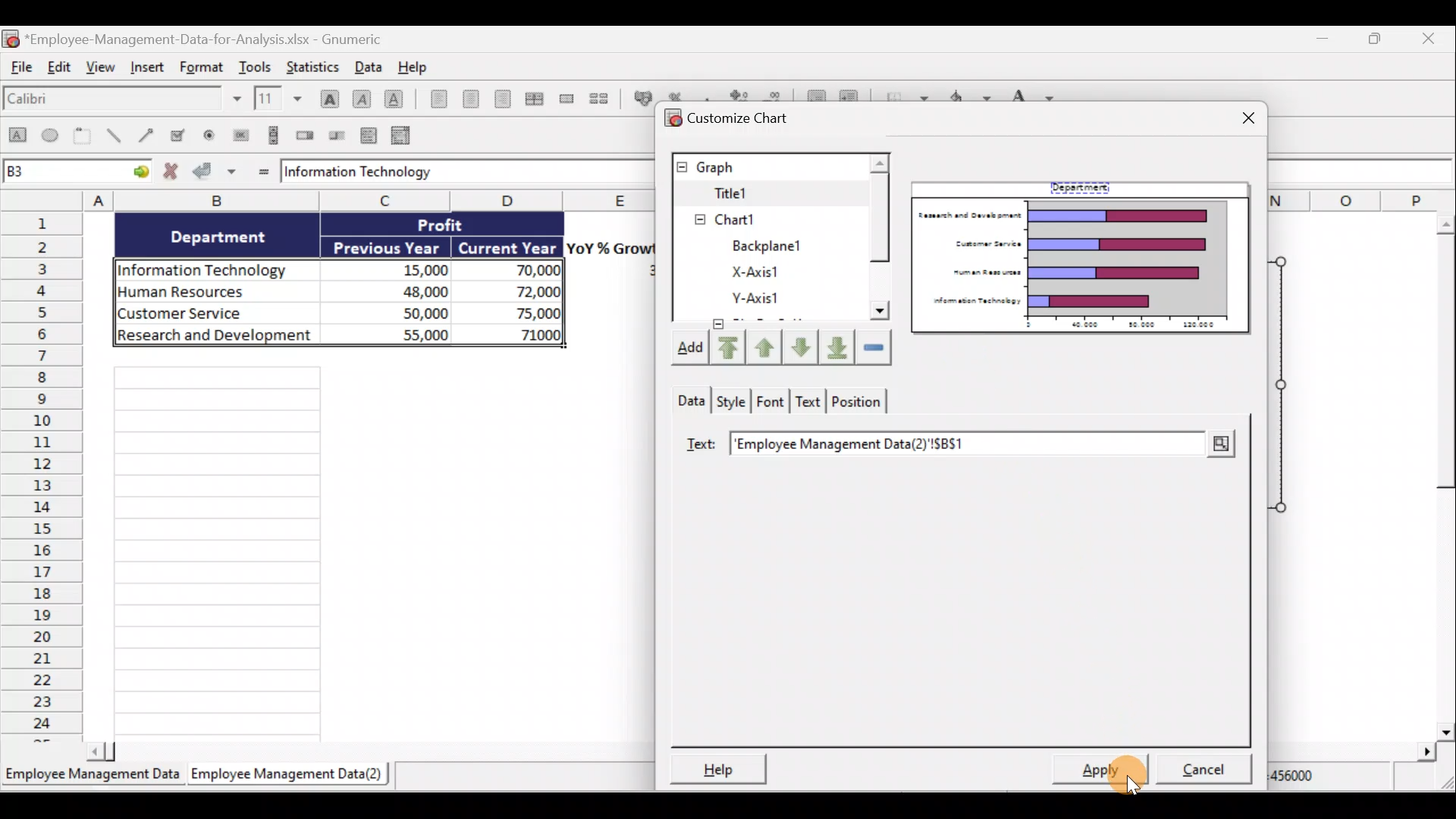 This screenshot has height=819, width=1456. Describe the element at coordinates (290, 774) in the screenshot. I see `Employee Management Data(2)` at that location.